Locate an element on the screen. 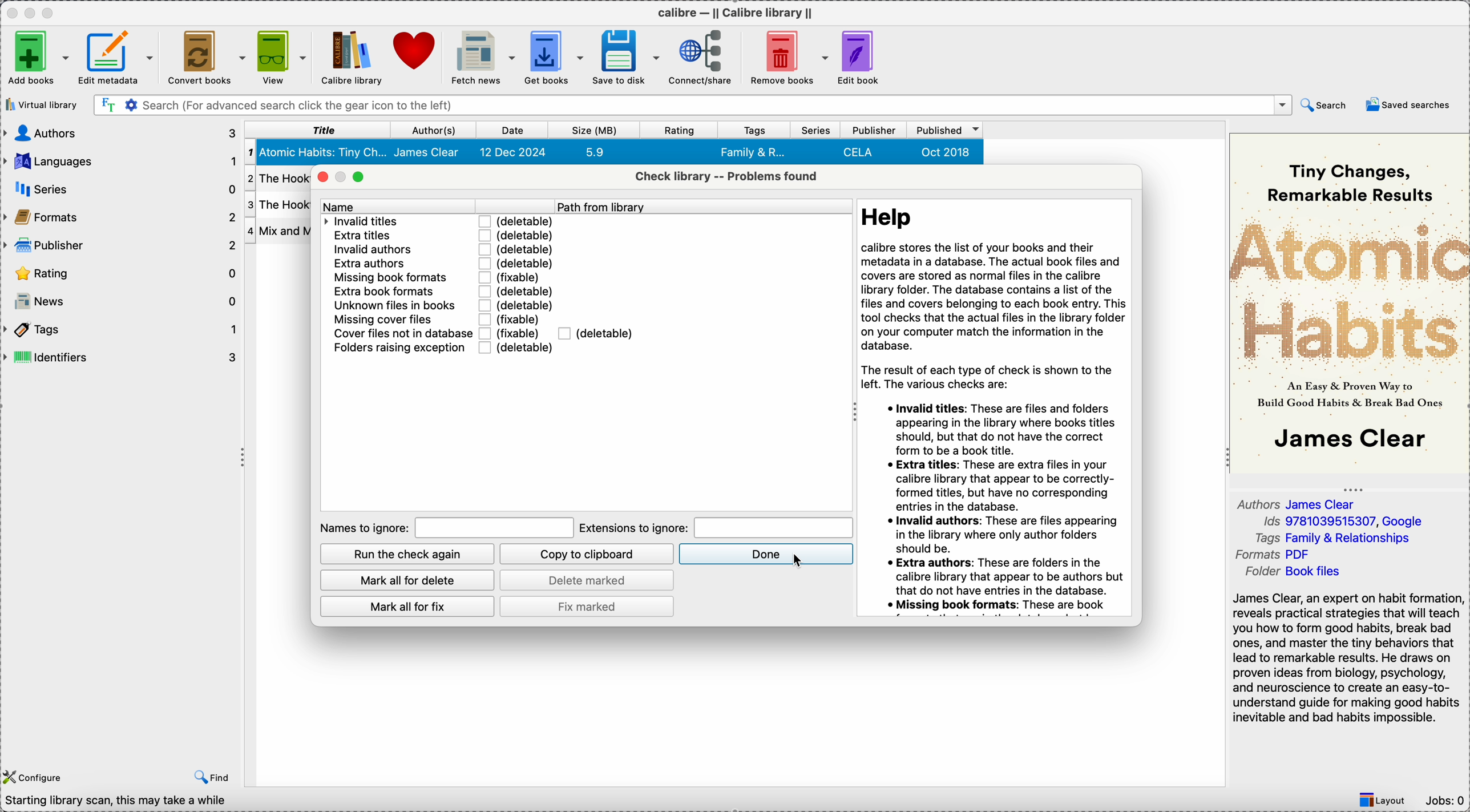 The image size is (1470, 812). invalid titles is located at coordinates (383, 222).